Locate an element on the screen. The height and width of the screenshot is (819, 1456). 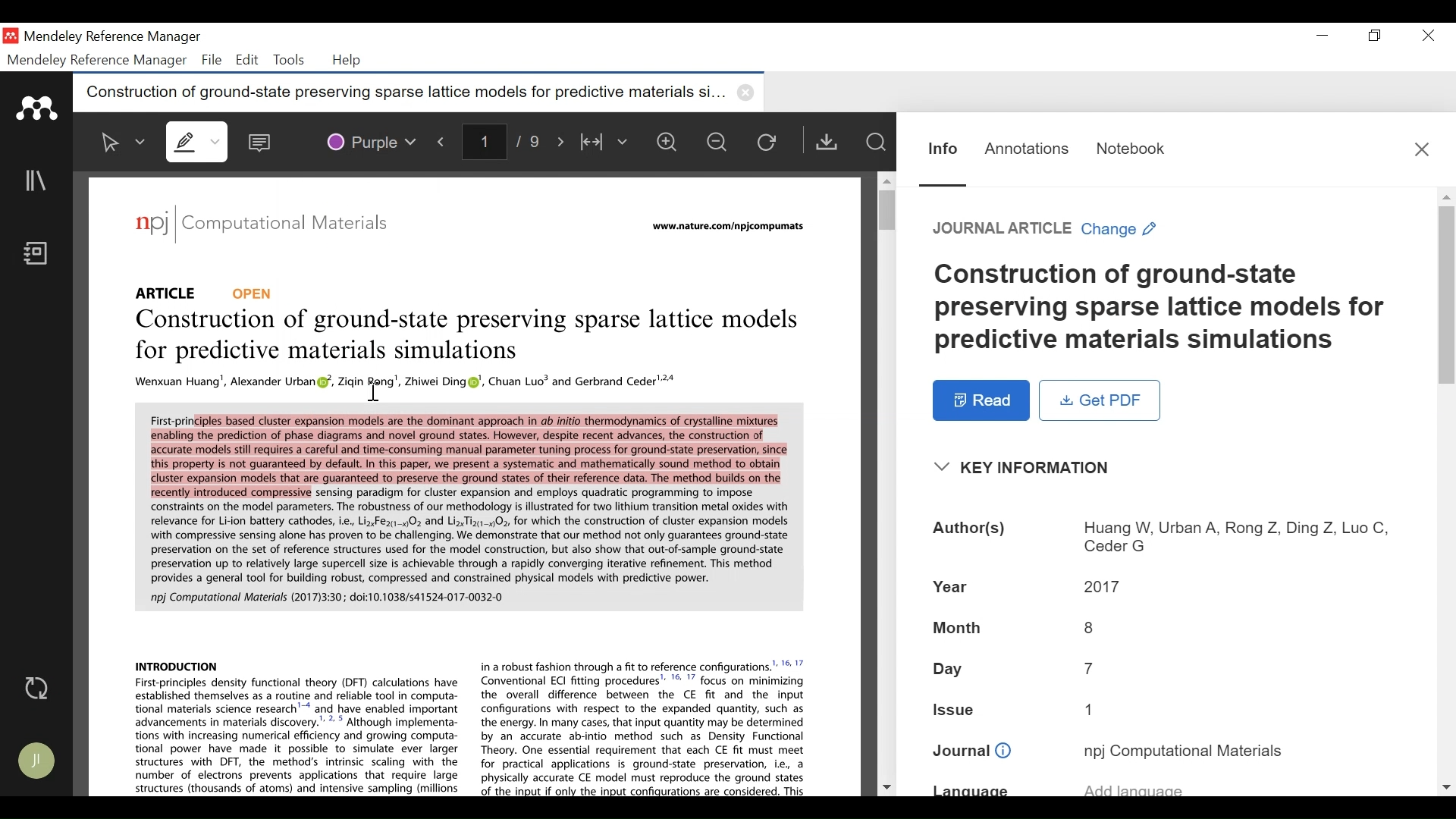
Purple is located at coordinates (366, 143).